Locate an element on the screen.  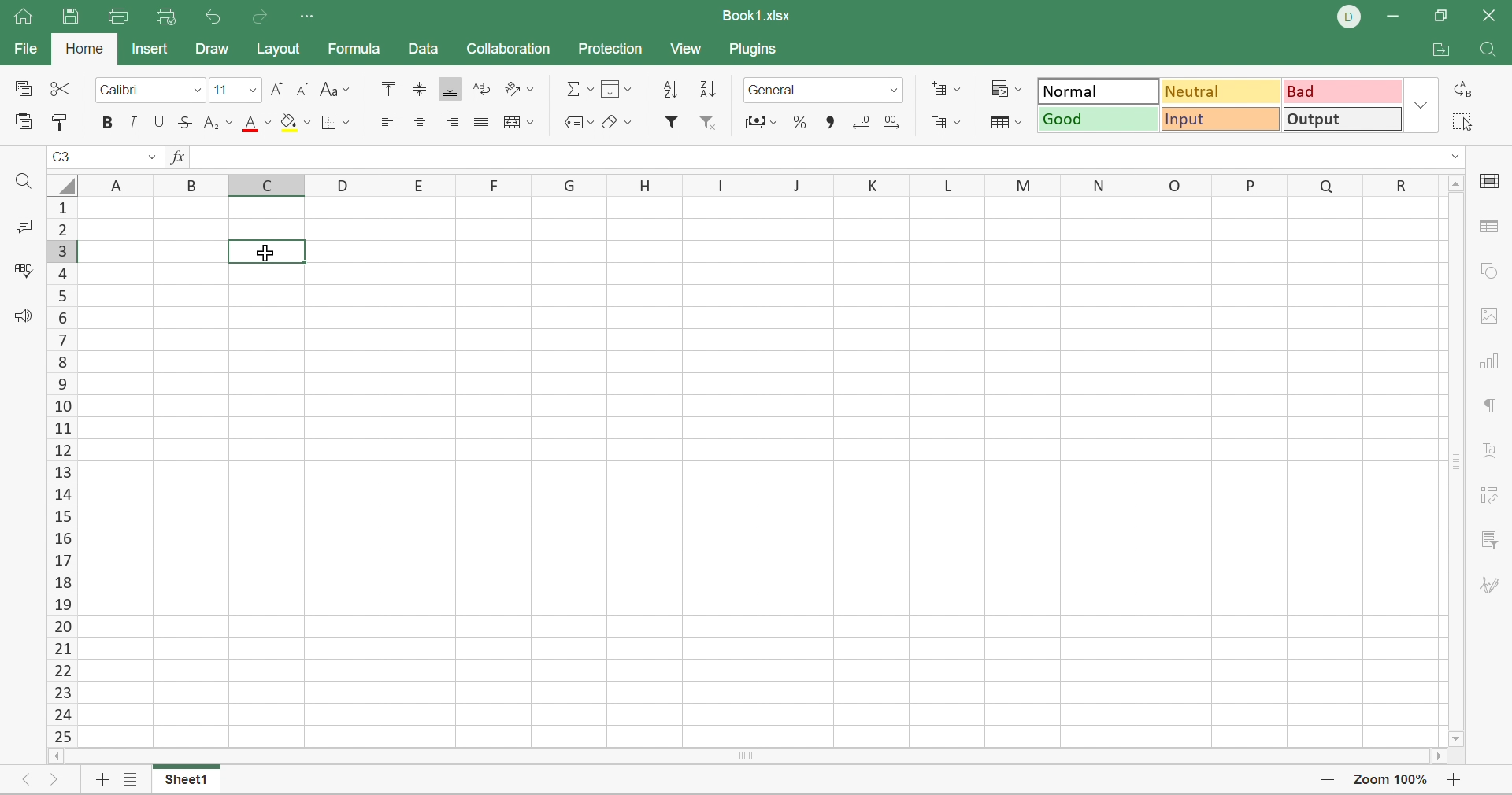
Minimize is located at coordinates (1393, 15).